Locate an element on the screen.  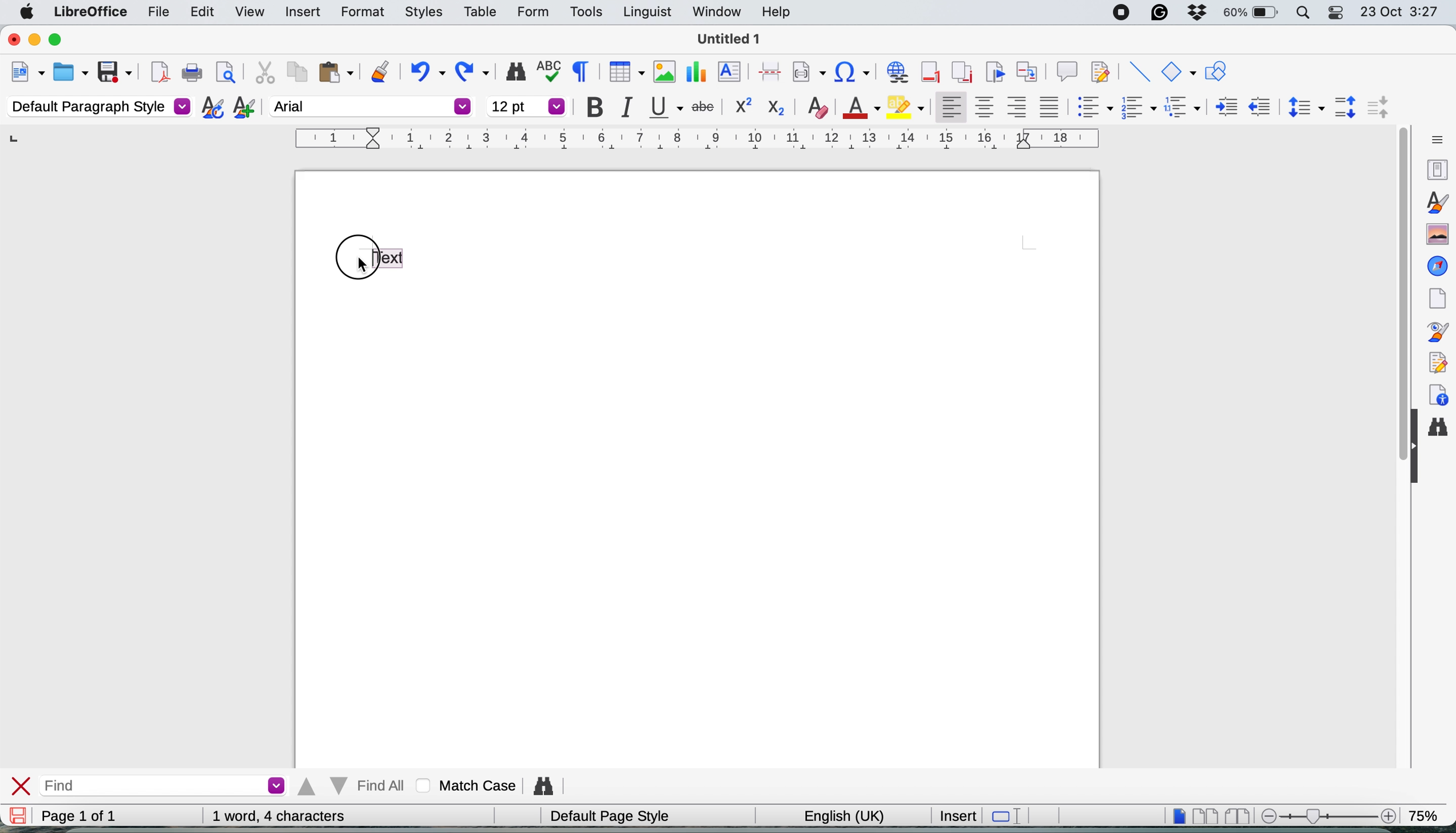
insert bookmark is located at coordinates (994, 73).